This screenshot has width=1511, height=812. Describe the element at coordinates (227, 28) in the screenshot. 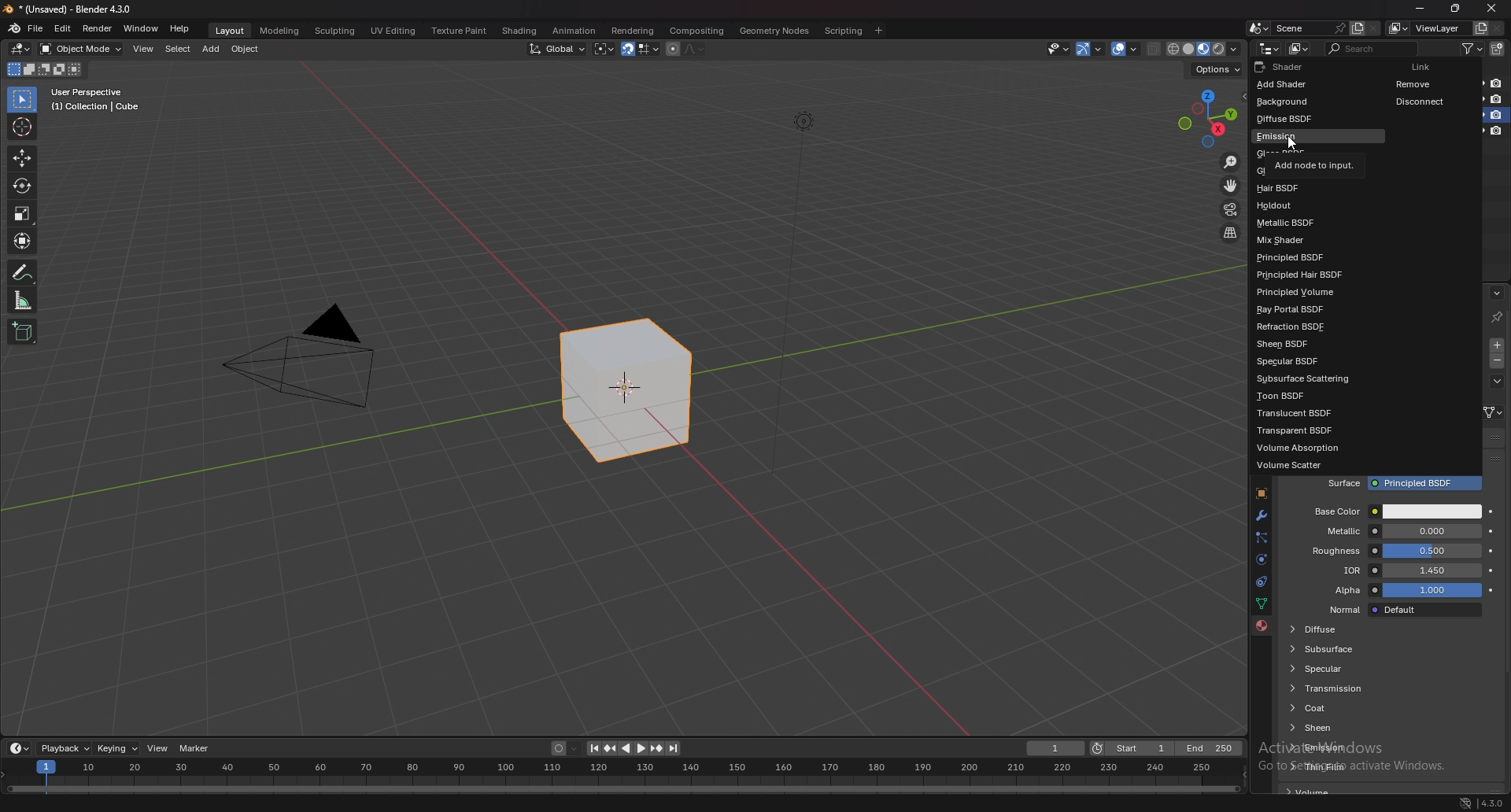

I see `layout` at that location.